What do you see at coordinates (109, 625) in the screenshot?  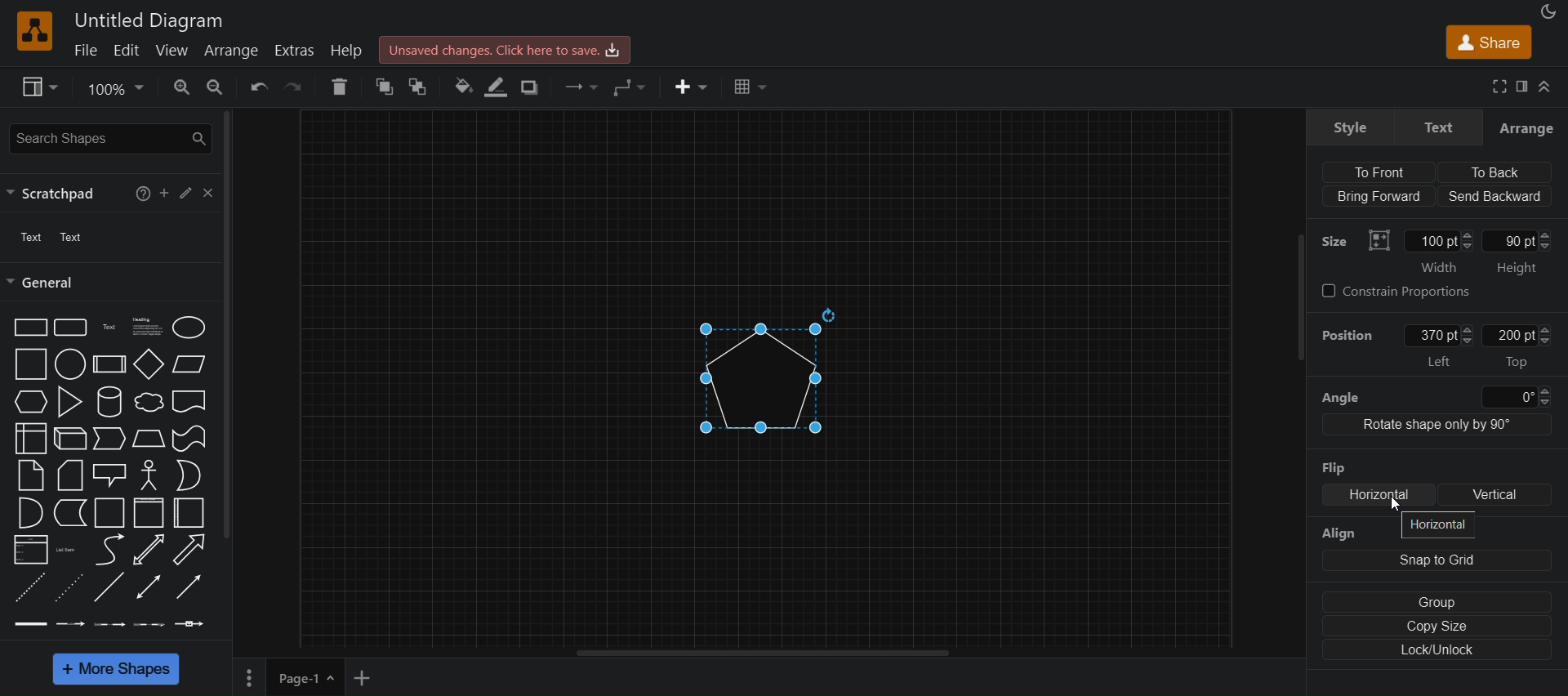 I see `Connector with 2 labels` at bounding box center [109, 625].